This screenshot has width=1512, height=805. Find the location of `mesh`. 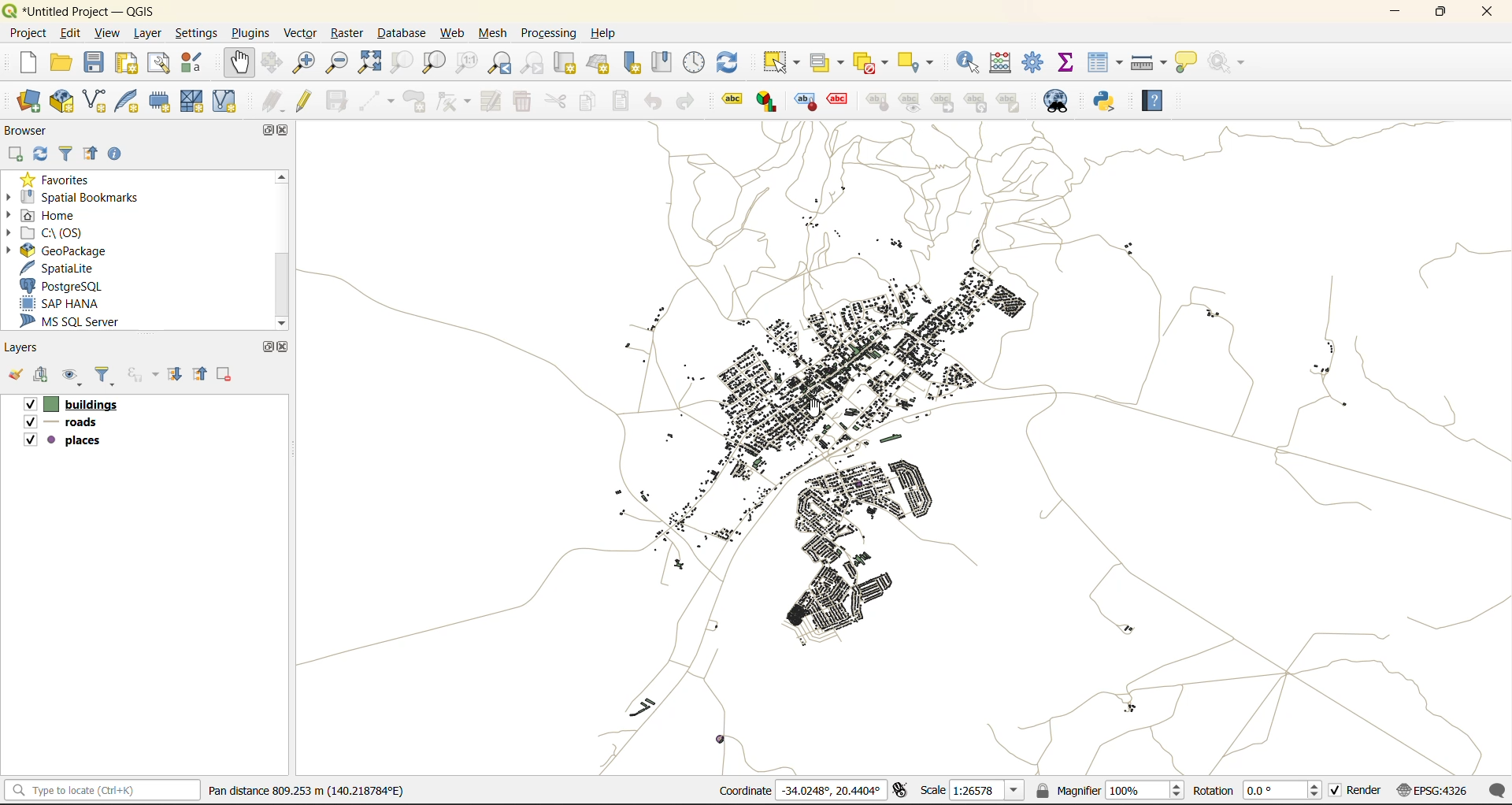

mesh is located at coordinates (496, 33).